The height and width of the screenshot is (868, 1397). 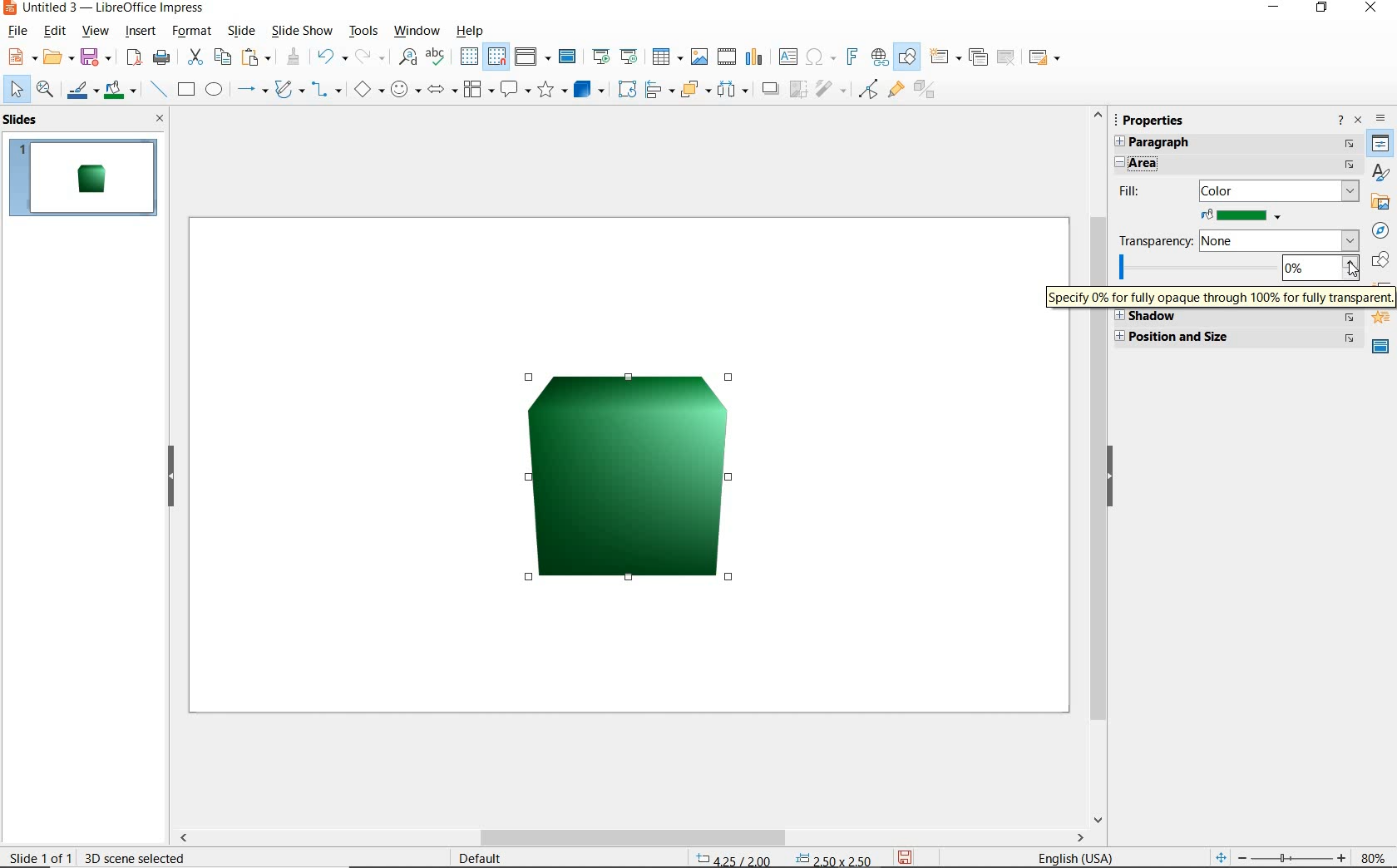 What do you see at coordinates (96, 31) in the screenshot?
I see `view` at bounding box center [96, 31].